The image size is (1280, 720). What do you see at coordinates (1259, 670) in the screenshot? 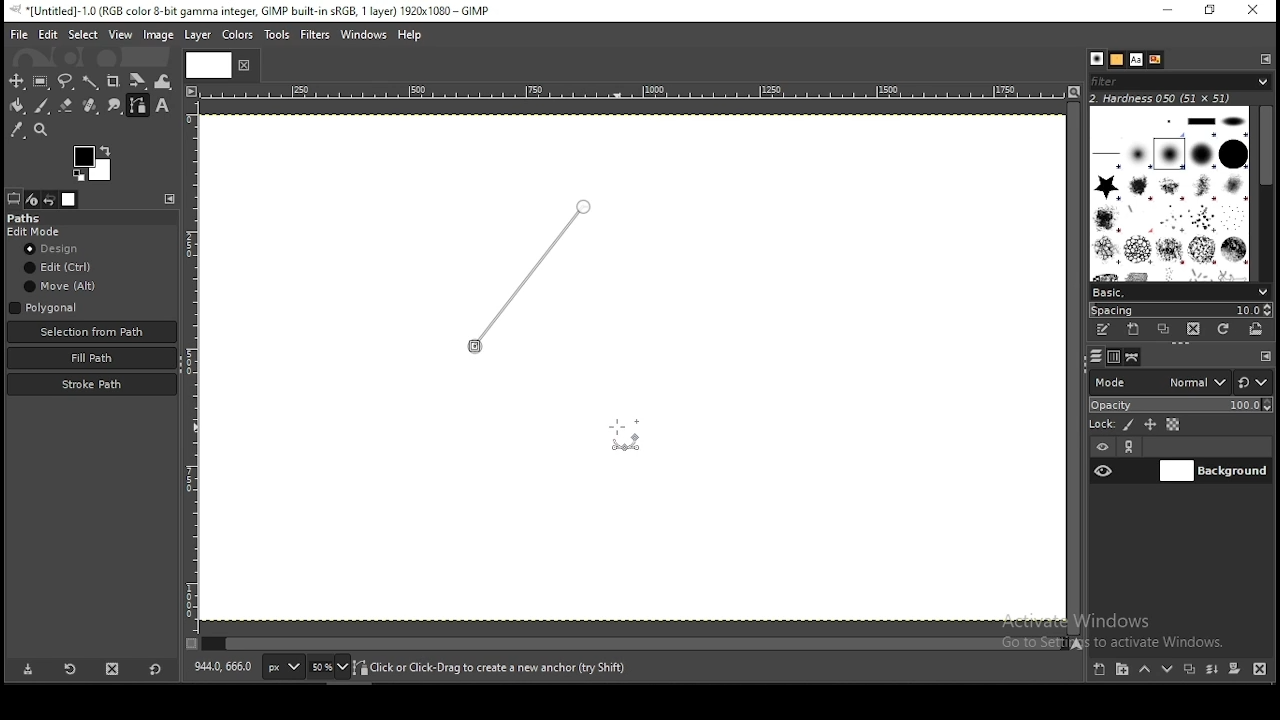
I see ` delete layer` at bounding box center [1259, 670].